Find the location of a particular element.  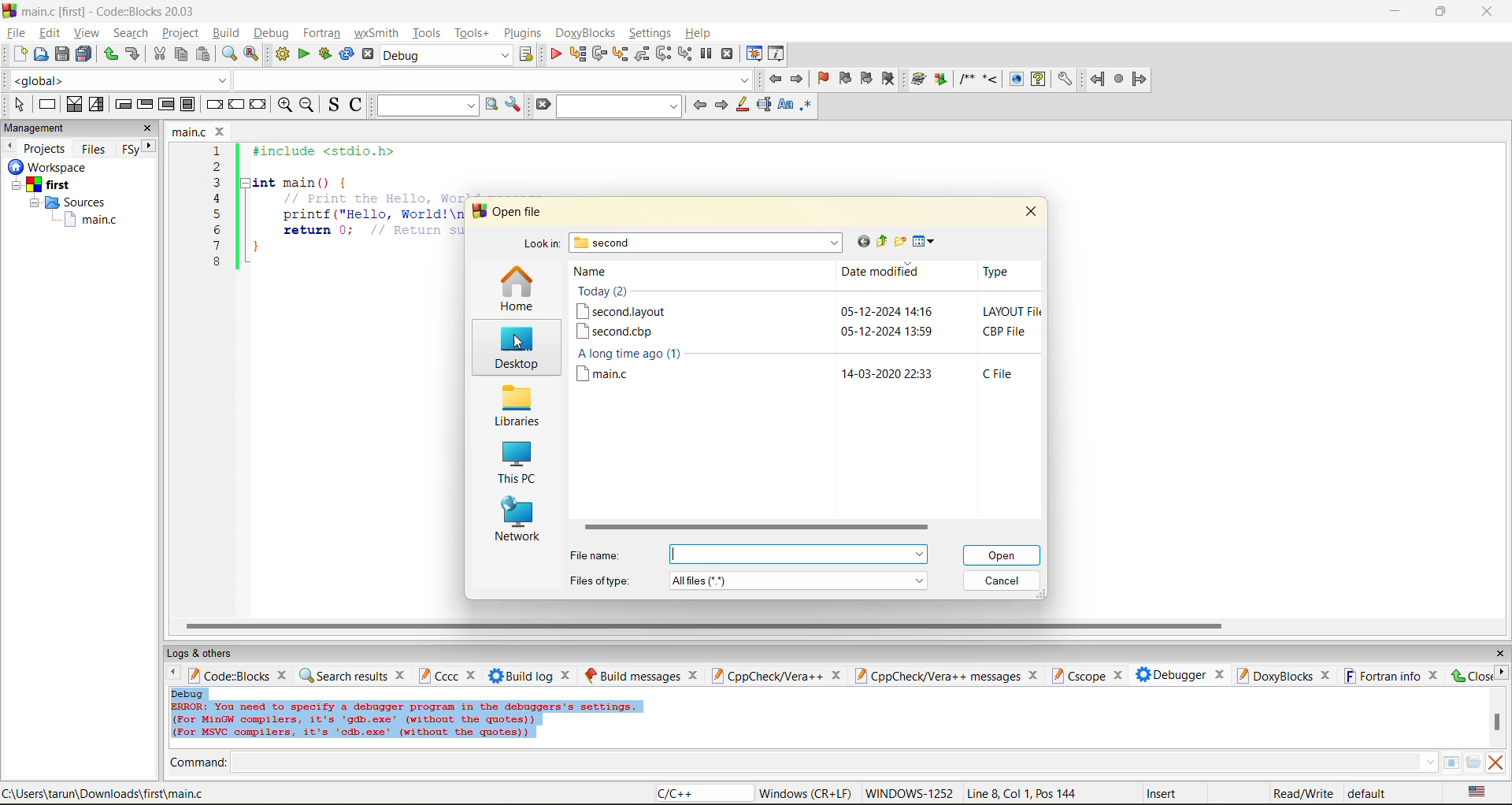

cppcheck/vera++ is located at coordinates (765, 677).